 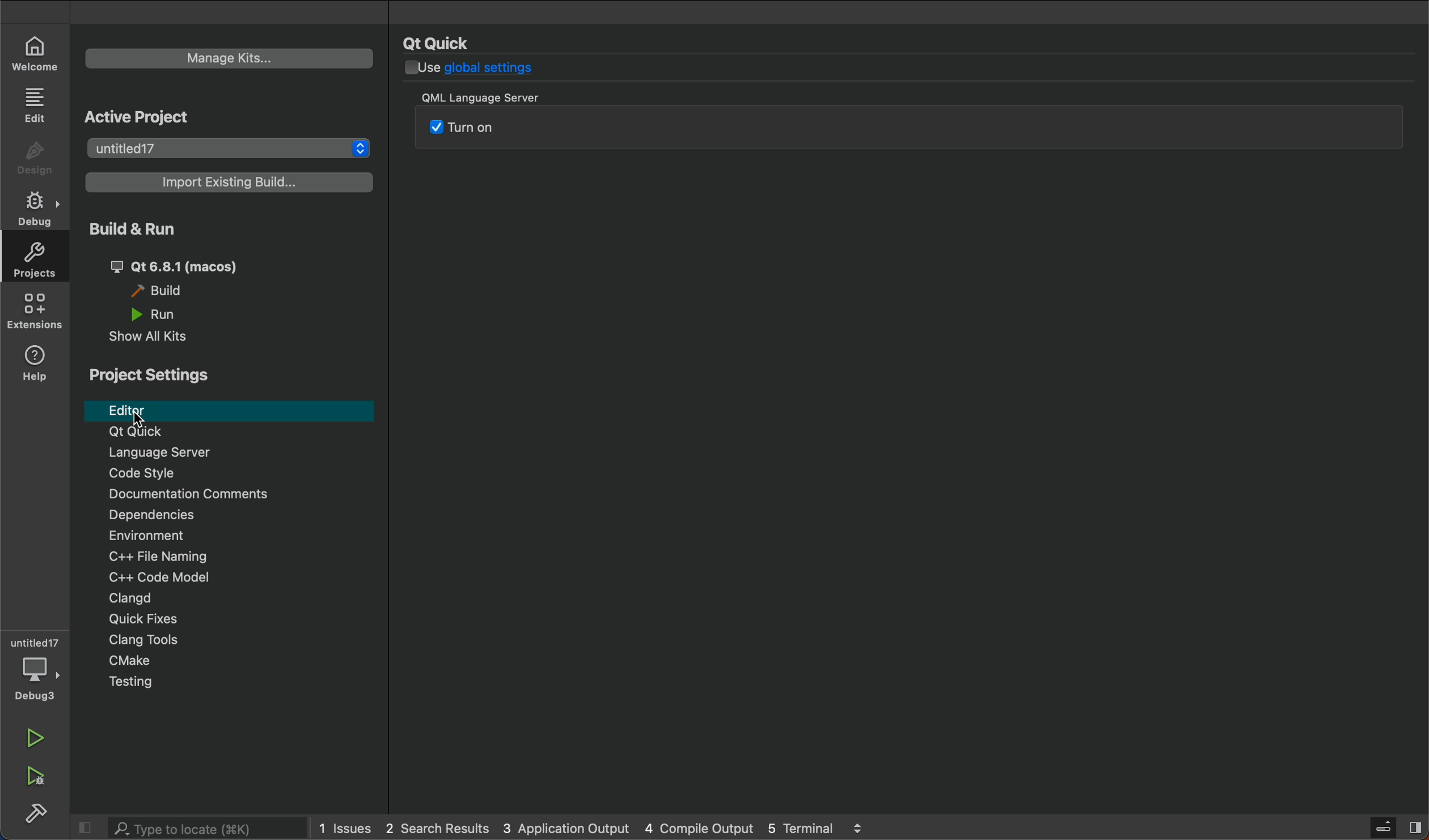 What do you see at coordinates (834, 825) in the screenshot?
I see `terminal` at bounding box center [834, 825].